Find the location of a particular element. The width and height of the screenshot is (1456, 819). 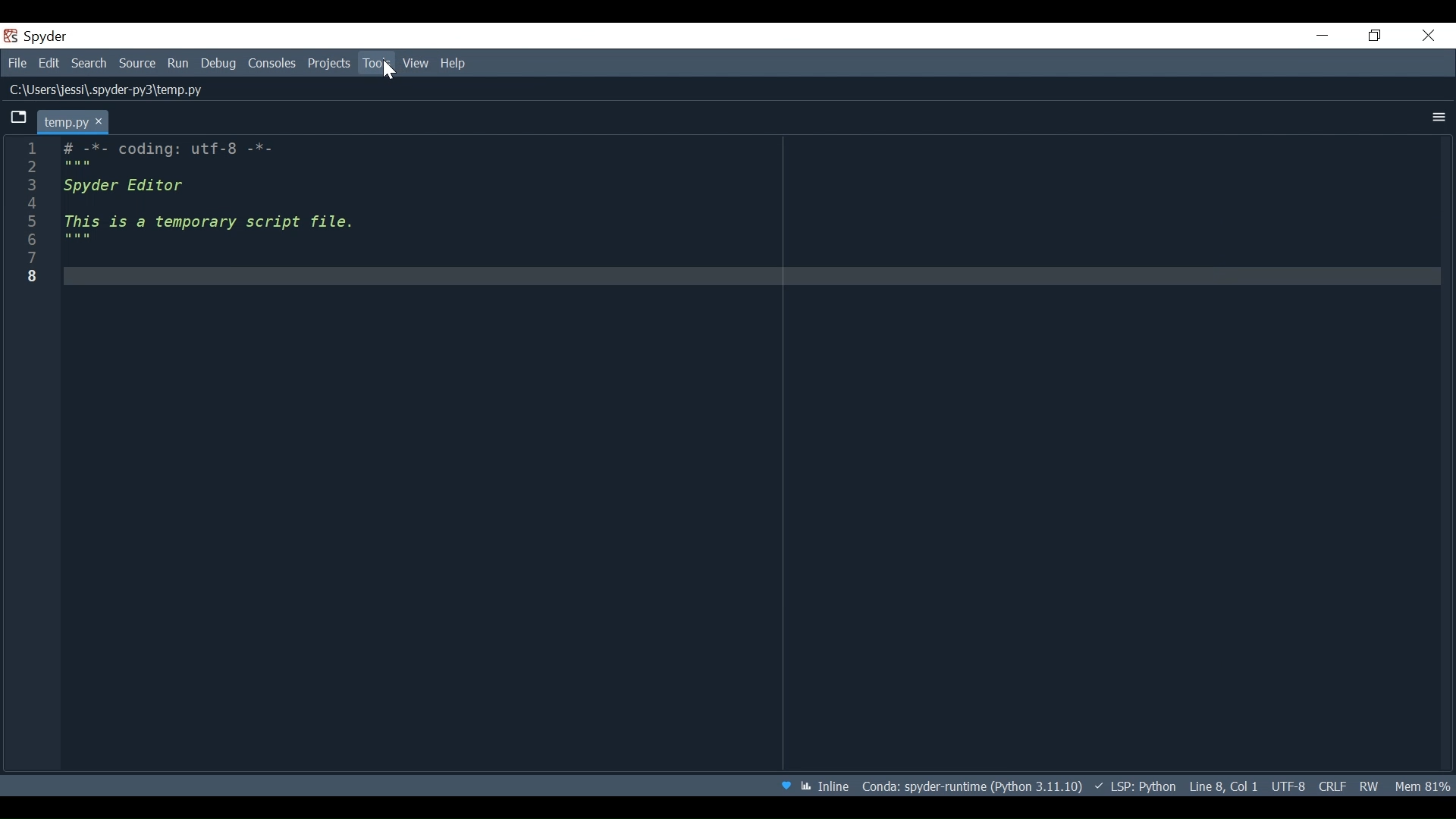

File Path is located at coordinates (108, 91).